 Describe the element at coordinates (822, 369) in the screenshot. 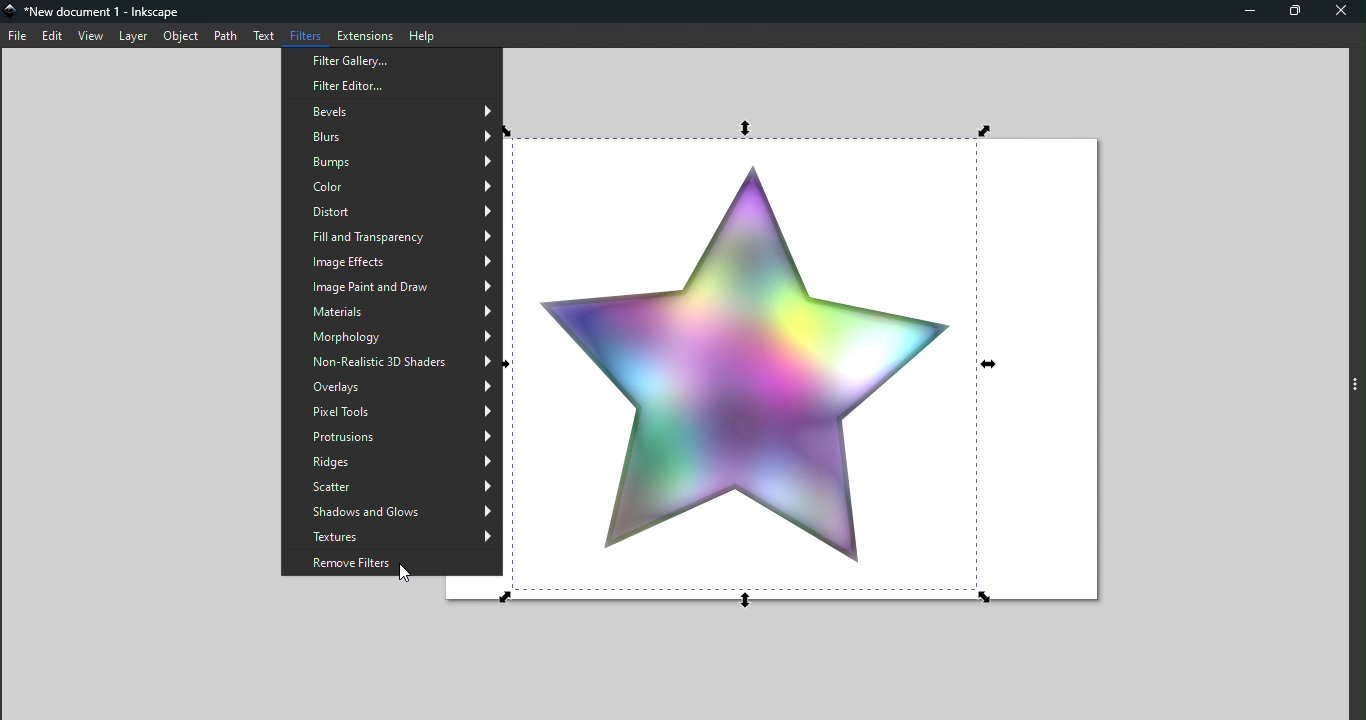

I see `Canvas` at that location.